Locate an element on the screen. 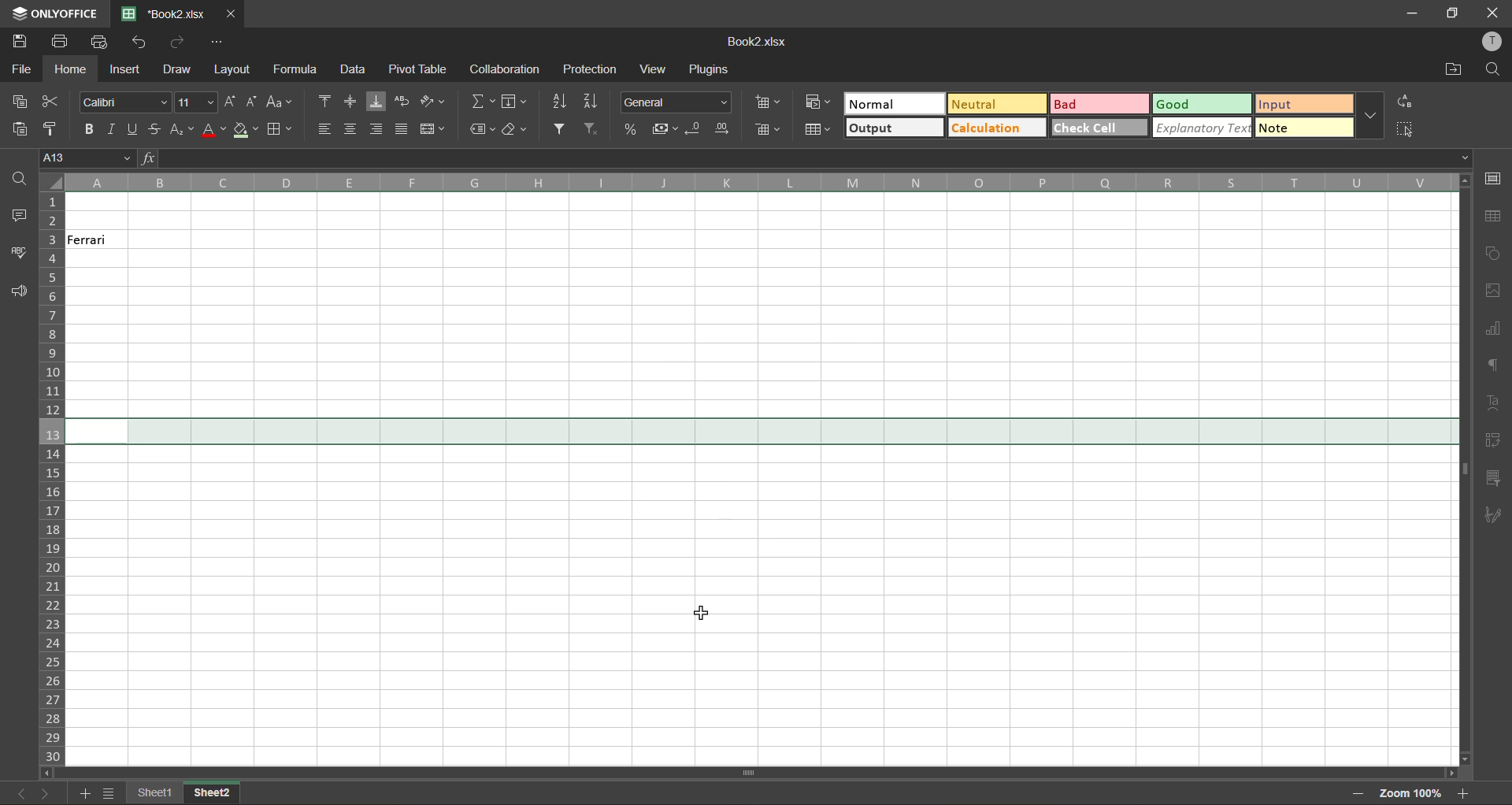  table is located at coordinates (1492, 217).